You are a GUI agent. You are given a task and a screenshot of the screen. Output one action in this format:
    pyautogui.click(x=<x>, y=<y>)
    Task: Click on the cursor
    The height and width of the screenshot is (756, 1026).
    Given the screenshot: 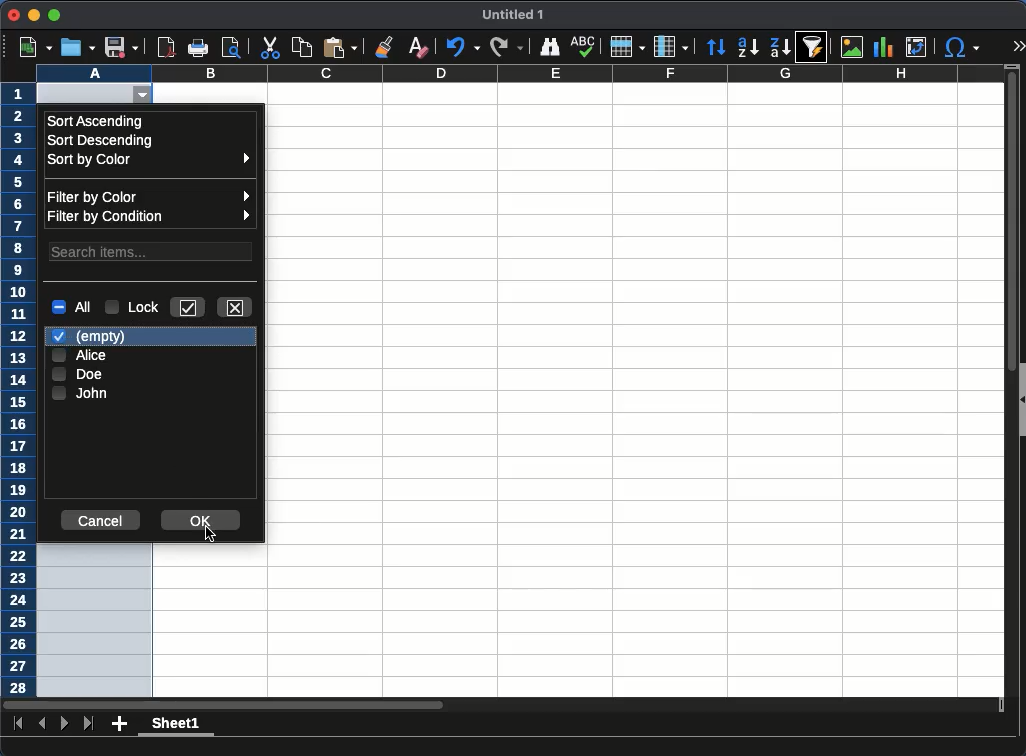 What is the action you would take?
    pyautogui.click(x=209, y=537)
    